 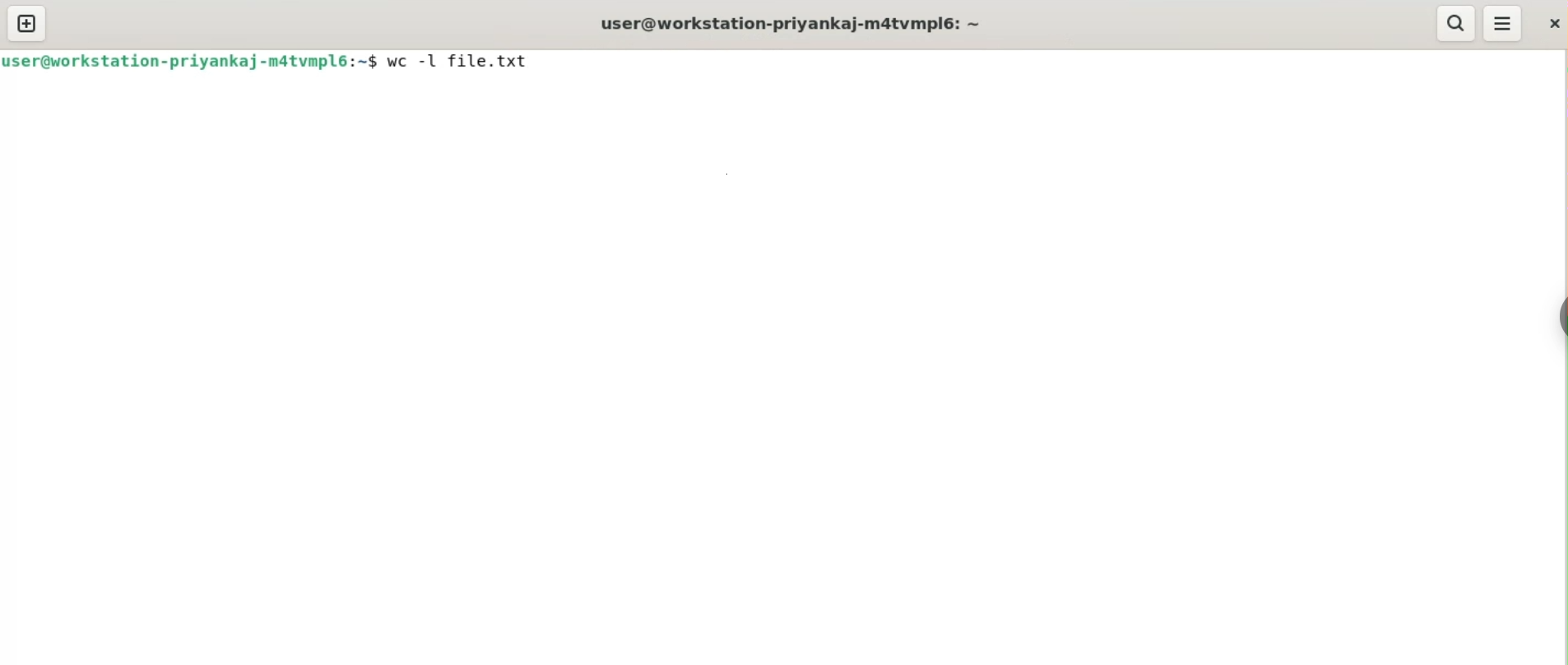 I want to click on new tab, so click(x=27, y=23).